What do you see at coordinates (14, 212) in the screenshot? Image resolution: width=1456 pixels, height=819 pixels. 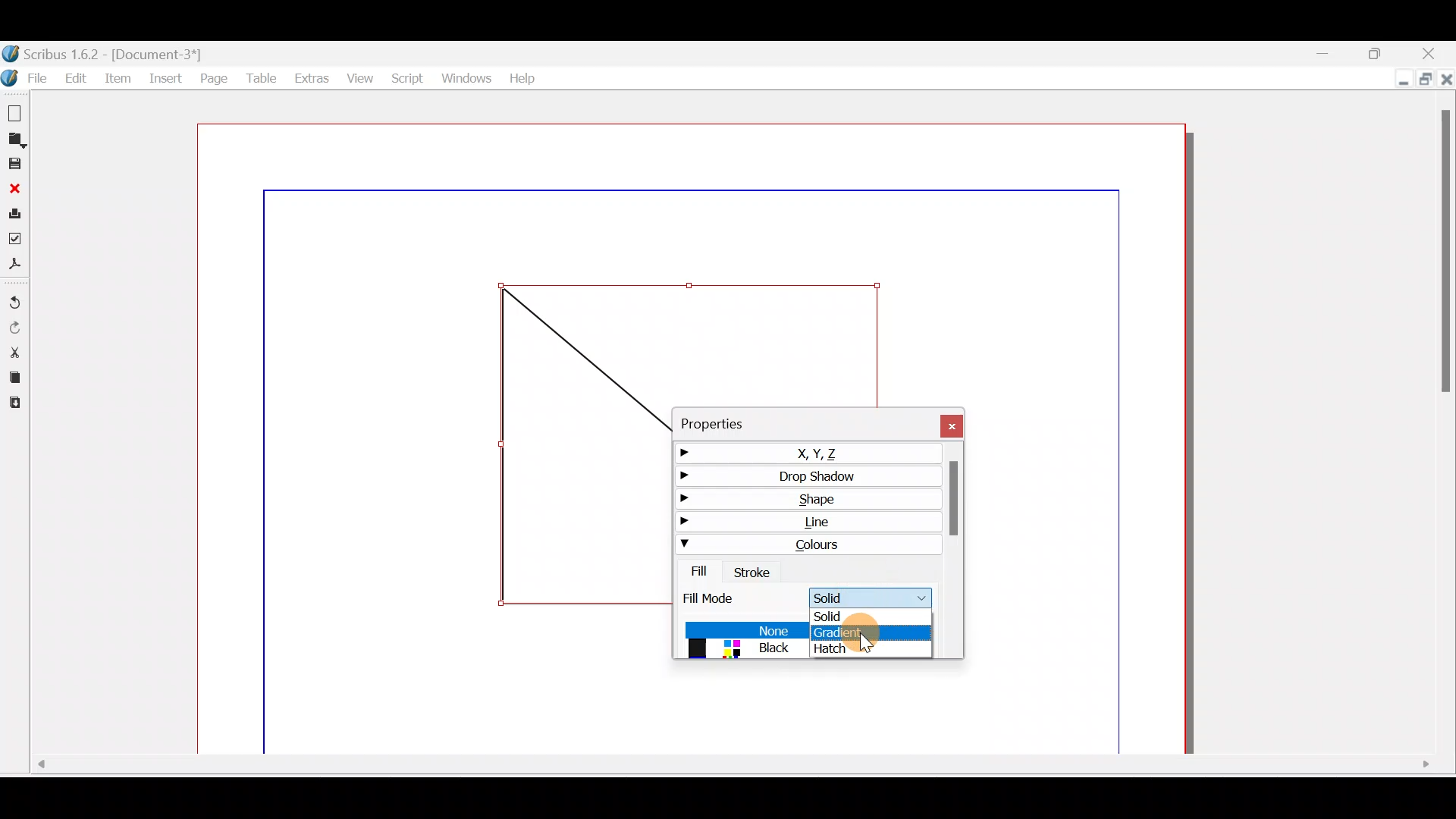 I see `Print` at bounding box center [14, 212].